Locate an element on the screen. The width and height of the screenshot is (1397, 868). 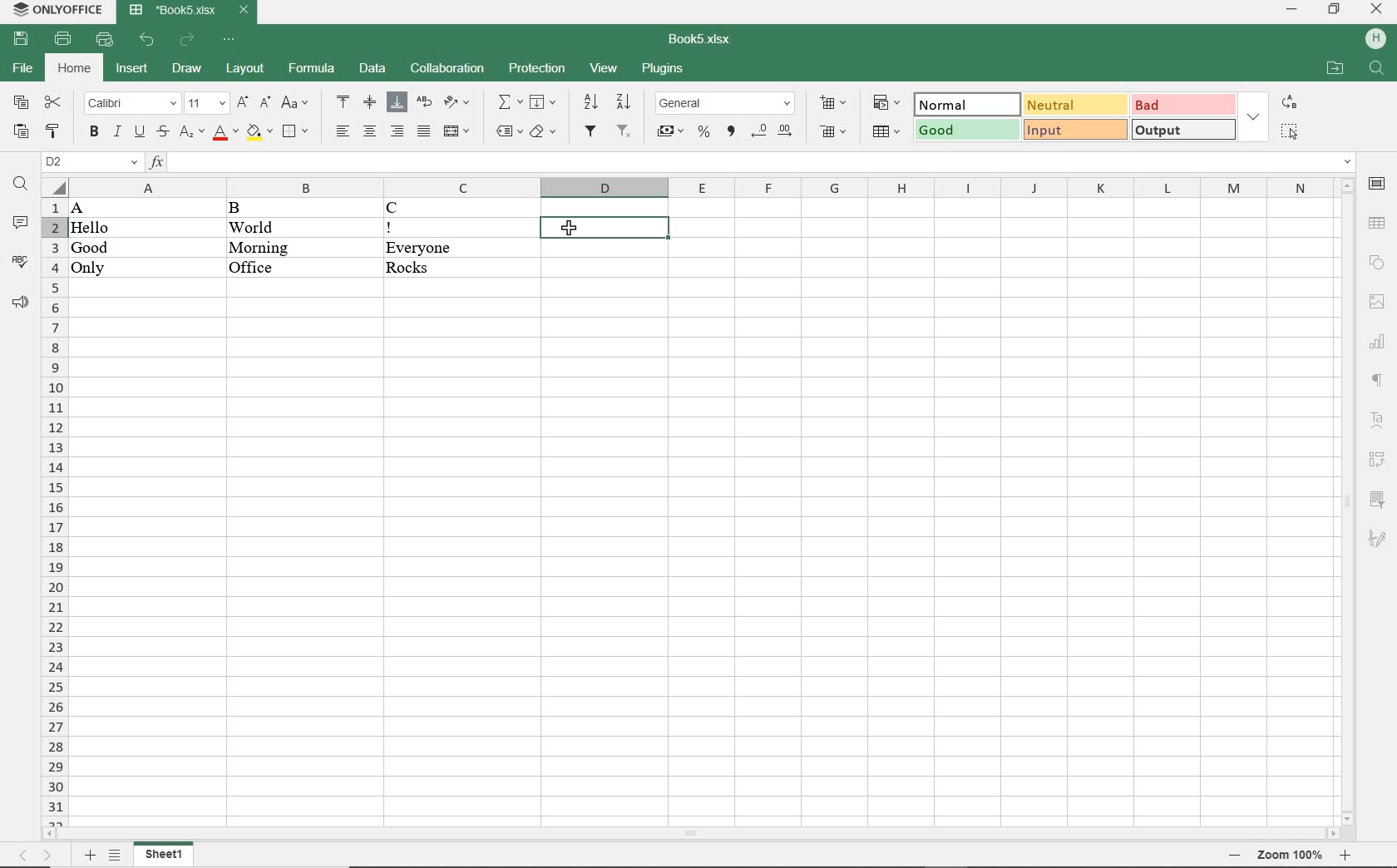
CLOSE is located at coordinates (1377, 9).